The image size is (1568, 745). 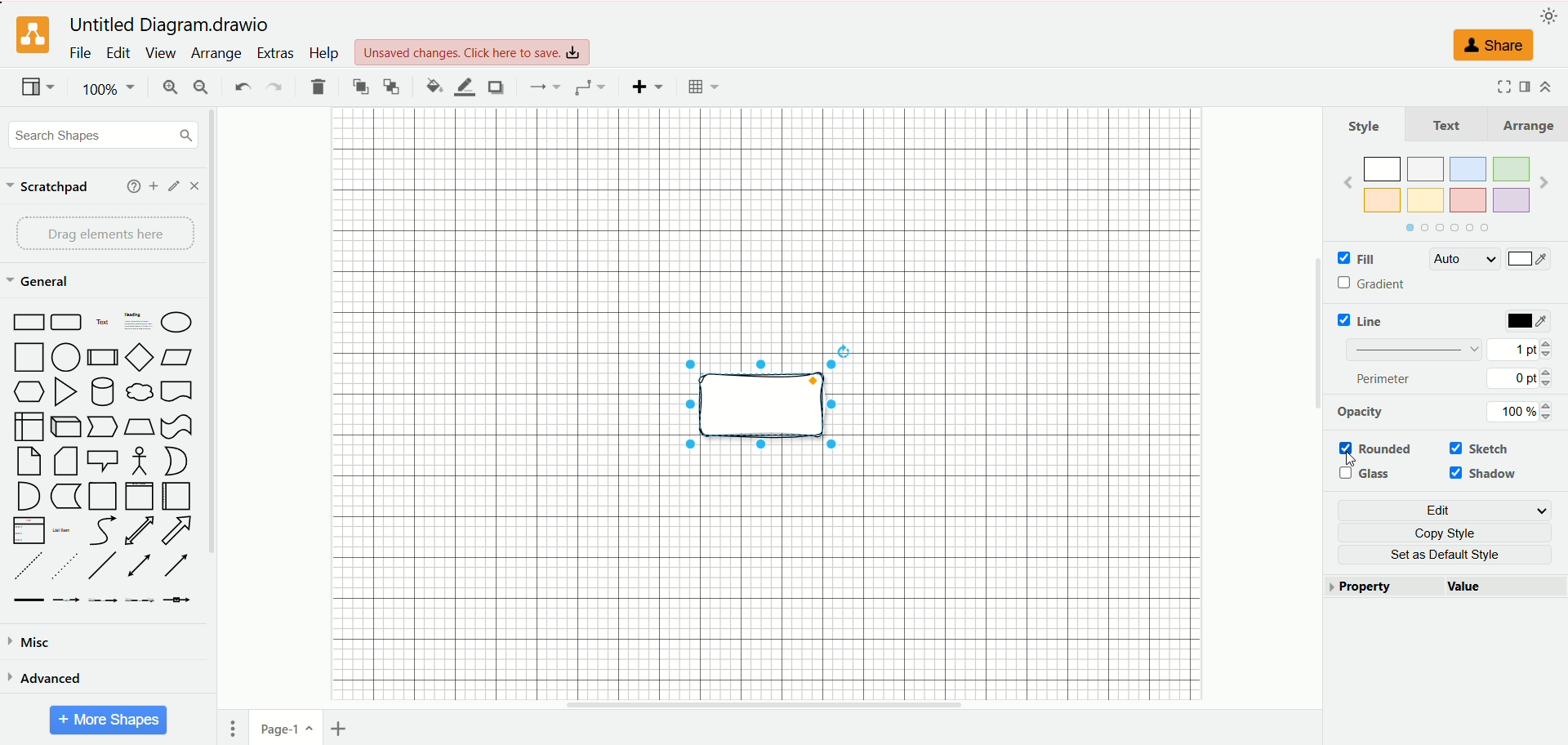 I want to click on logo, so click(x=30, y=36).